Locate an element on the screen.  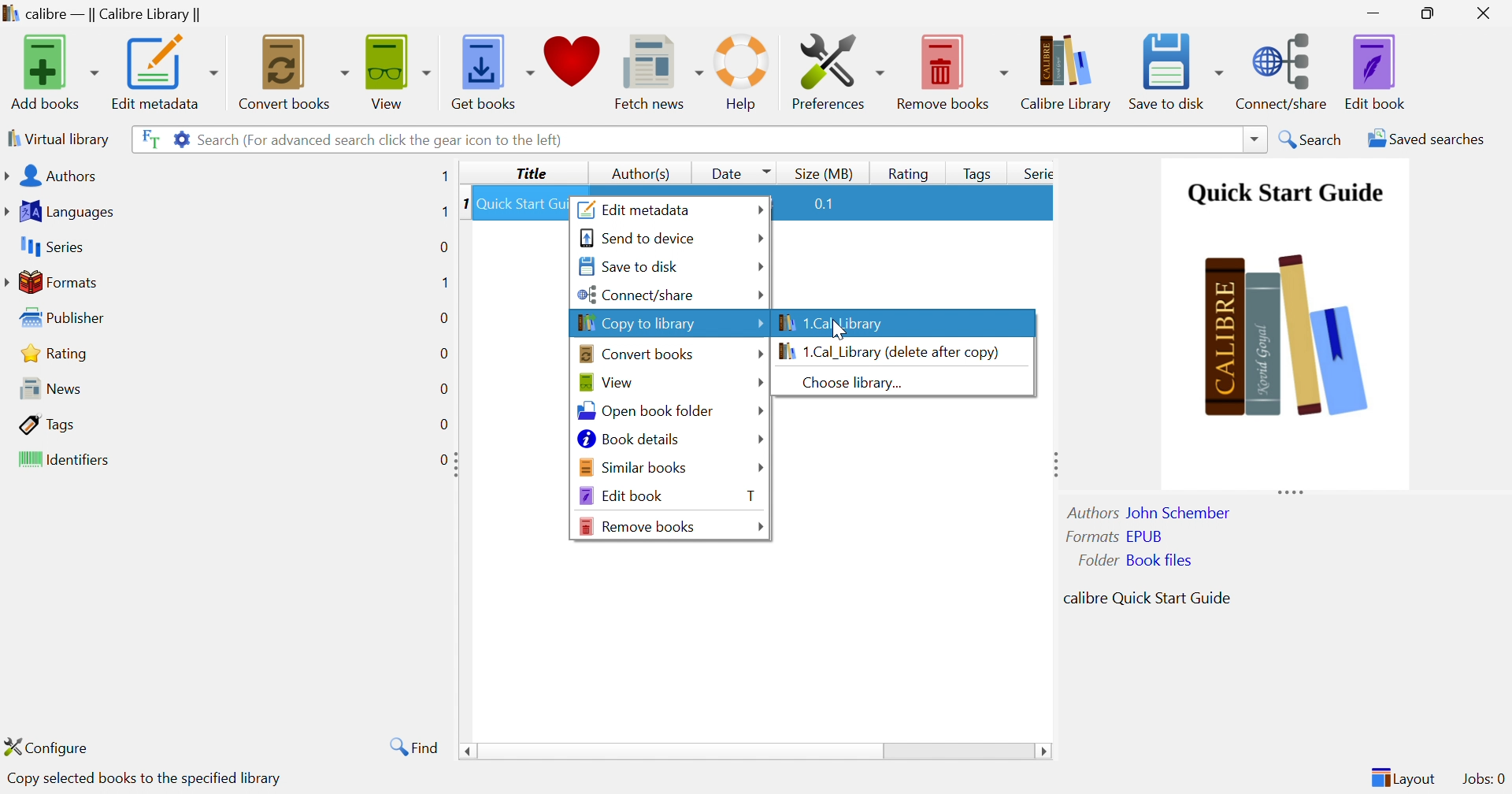
calibre Quick Start Guide is located at coordinates (1146, 596).